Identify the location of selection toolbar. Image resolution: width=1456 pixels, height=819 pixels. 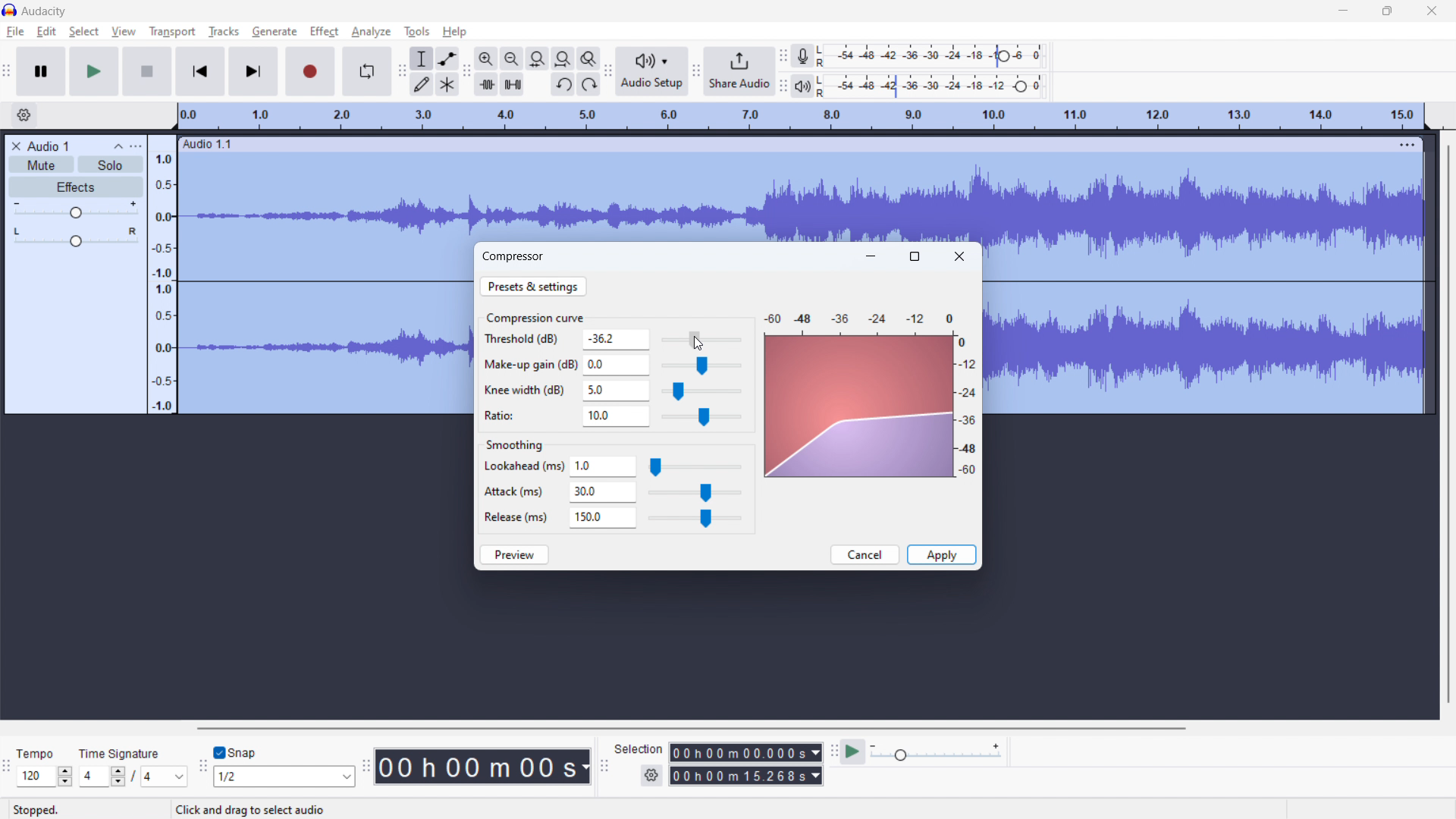
(604, 766).